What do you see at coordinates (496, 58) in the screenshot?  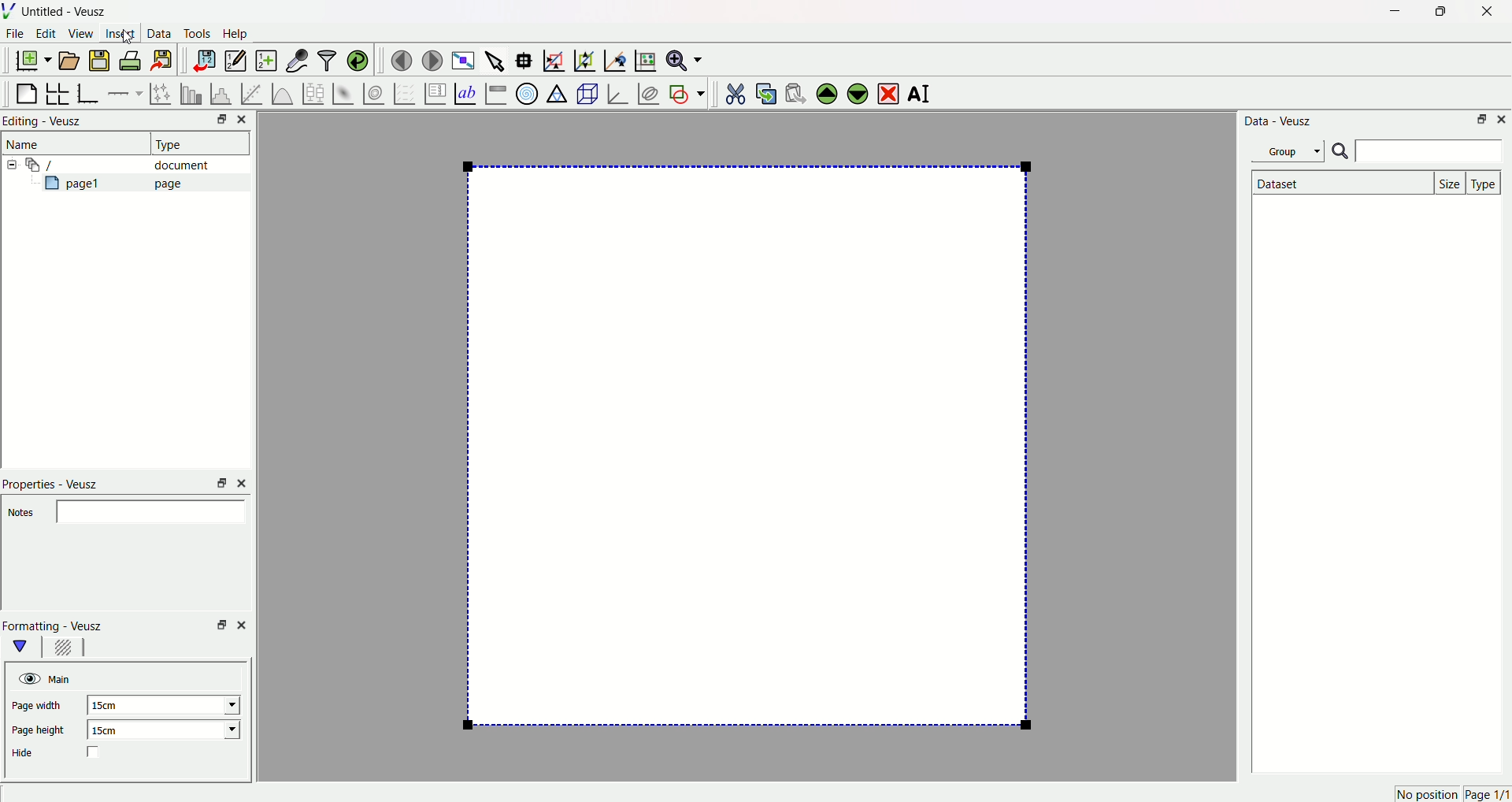 I see `select items` at bounding box center [496, 58].